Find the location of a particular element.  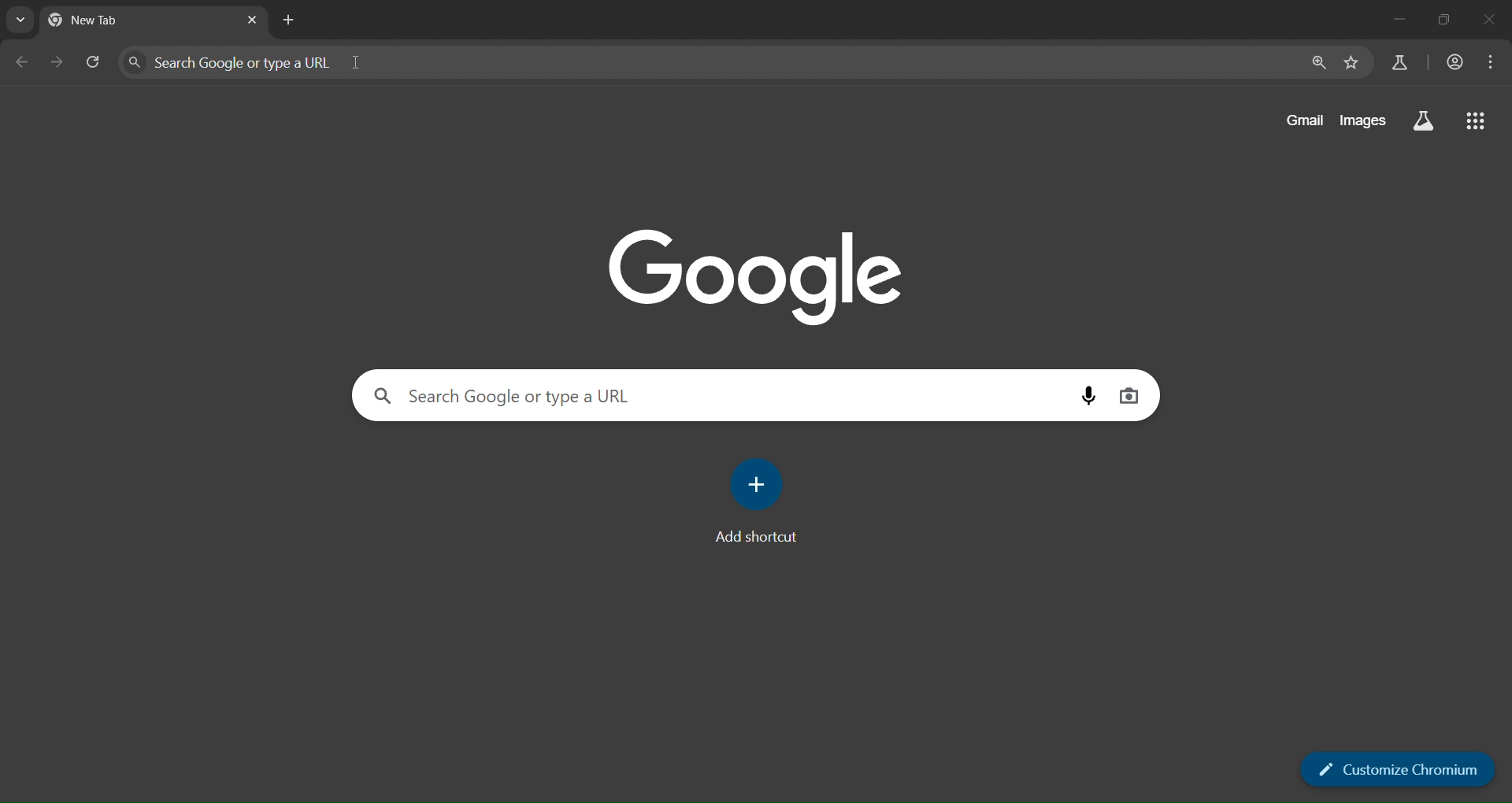

minimize is located at coordinates (1395, 19).